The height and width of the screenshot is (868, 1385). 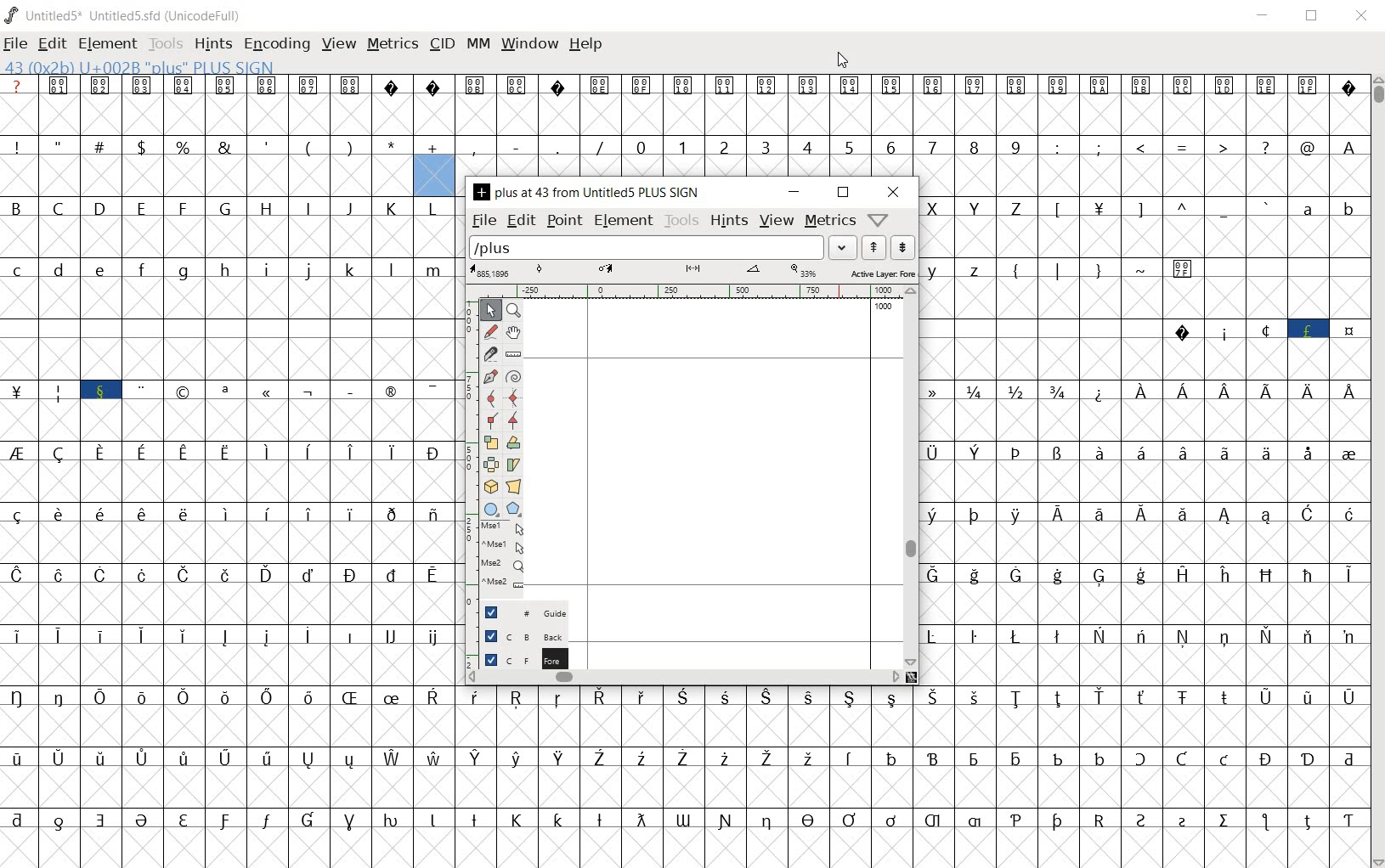 I want to click on , so click(x=469, y=406).